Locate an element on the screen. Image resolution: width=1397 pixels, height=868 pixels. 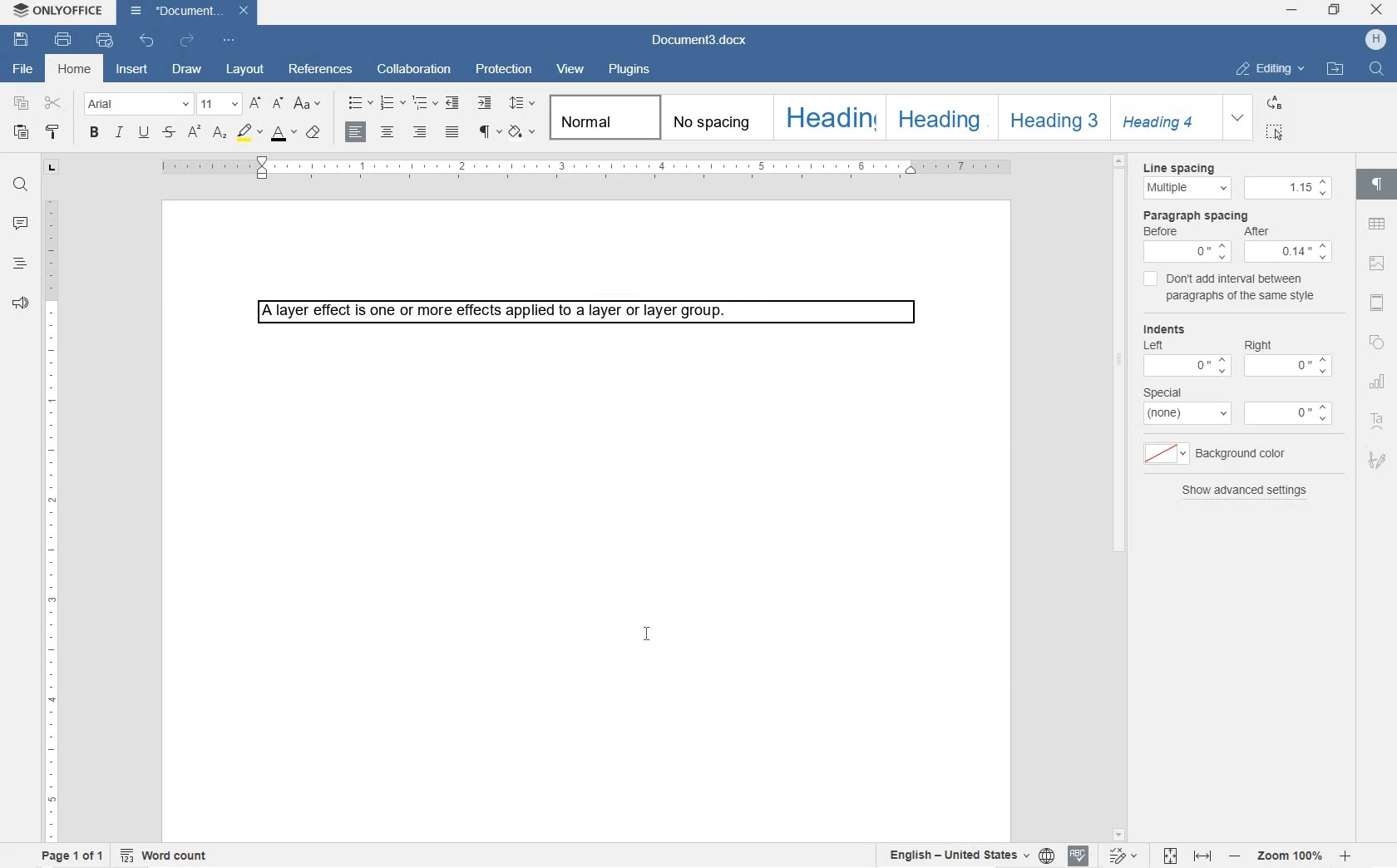
TEXT ART is located at coordinates (1377, 421).